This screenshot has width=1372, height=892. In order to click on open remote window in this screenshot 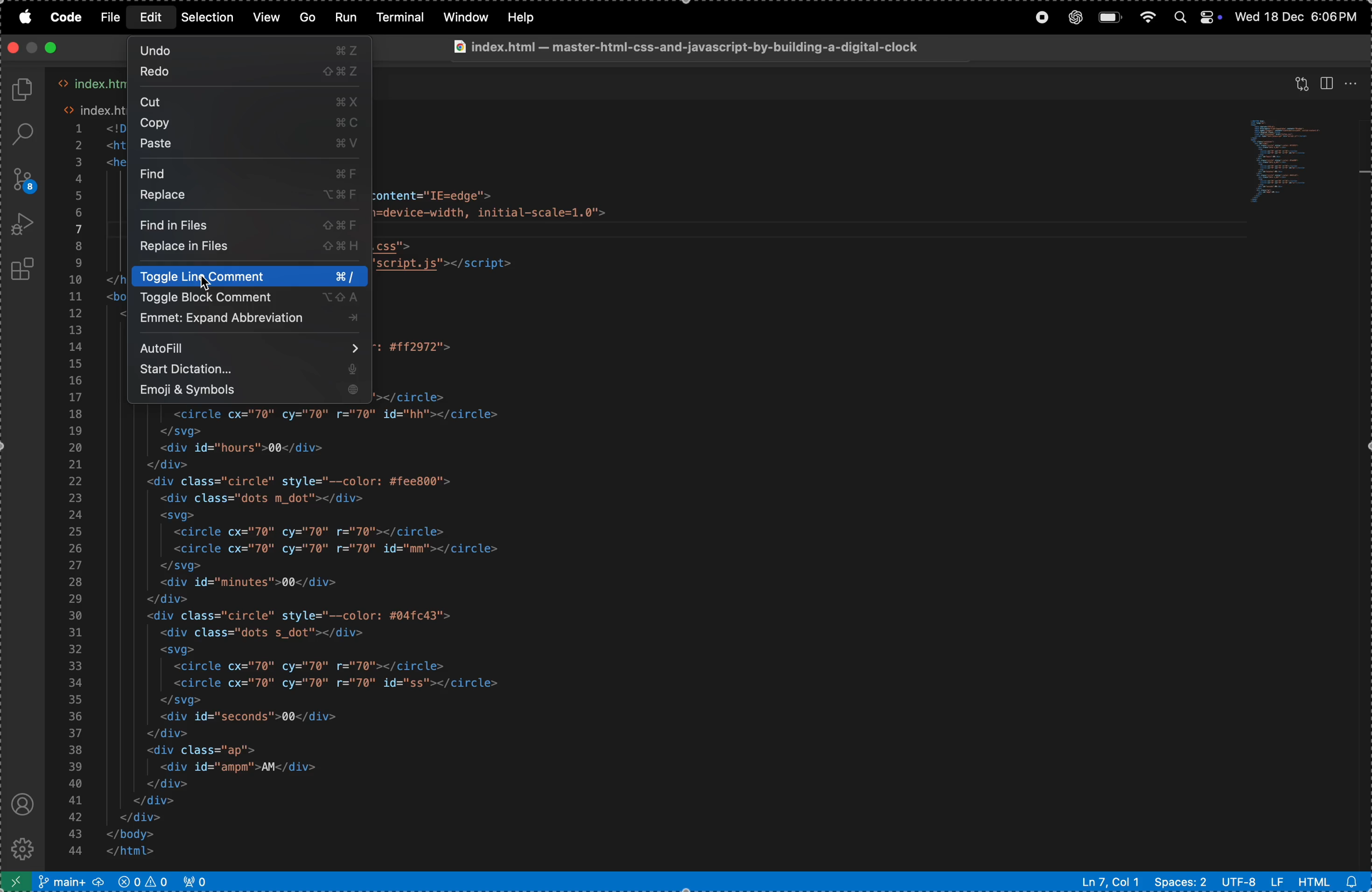, I will do `click(16, 882)`.